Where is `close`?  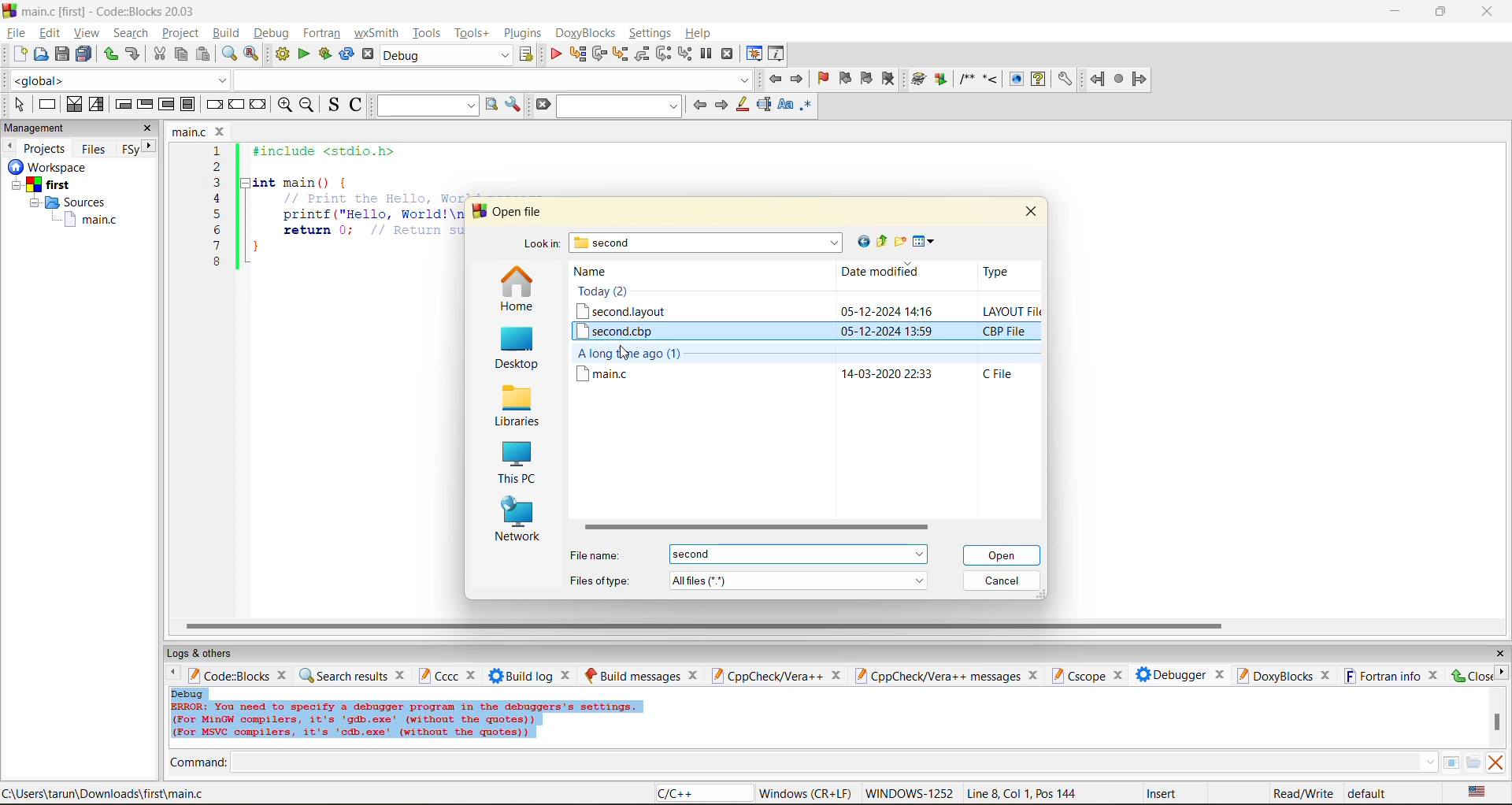
close is located at coordinates (568, 675).